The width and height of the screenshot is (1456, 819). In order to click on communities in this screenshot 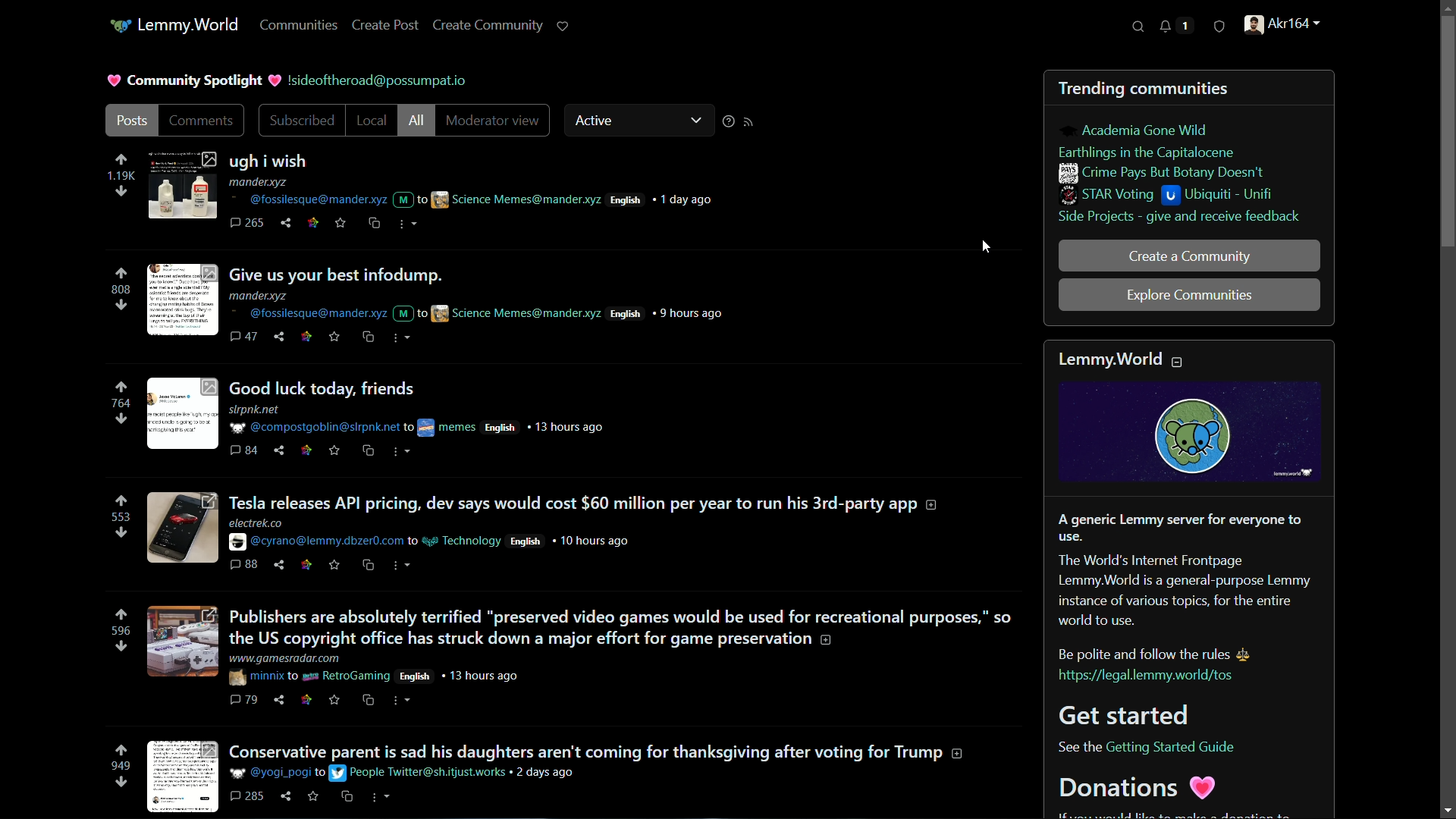, I will do `click(1187, 89)`.